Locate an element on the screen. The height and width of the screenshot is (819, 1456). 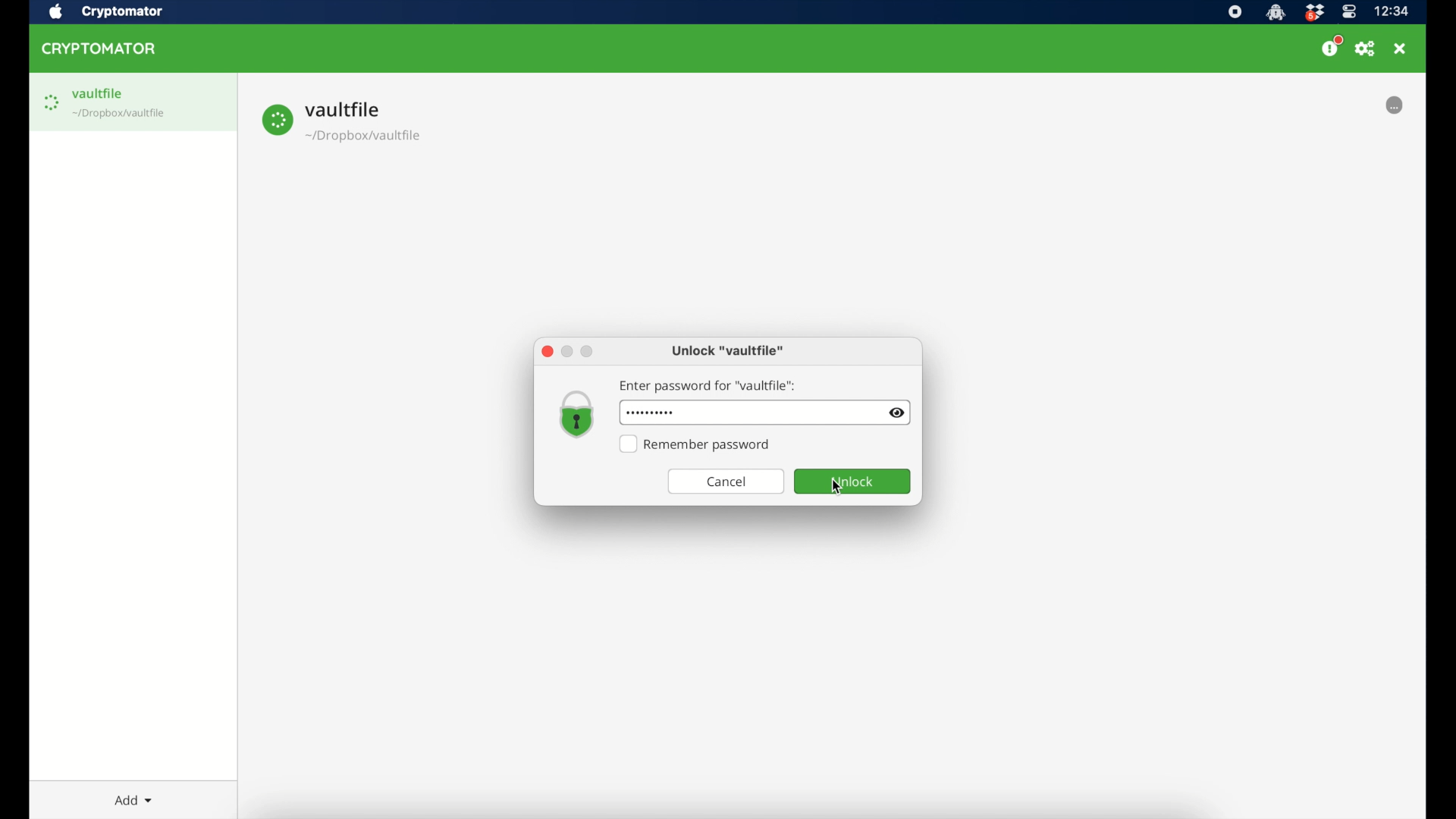
control center is located at coordinates (1348, 11).